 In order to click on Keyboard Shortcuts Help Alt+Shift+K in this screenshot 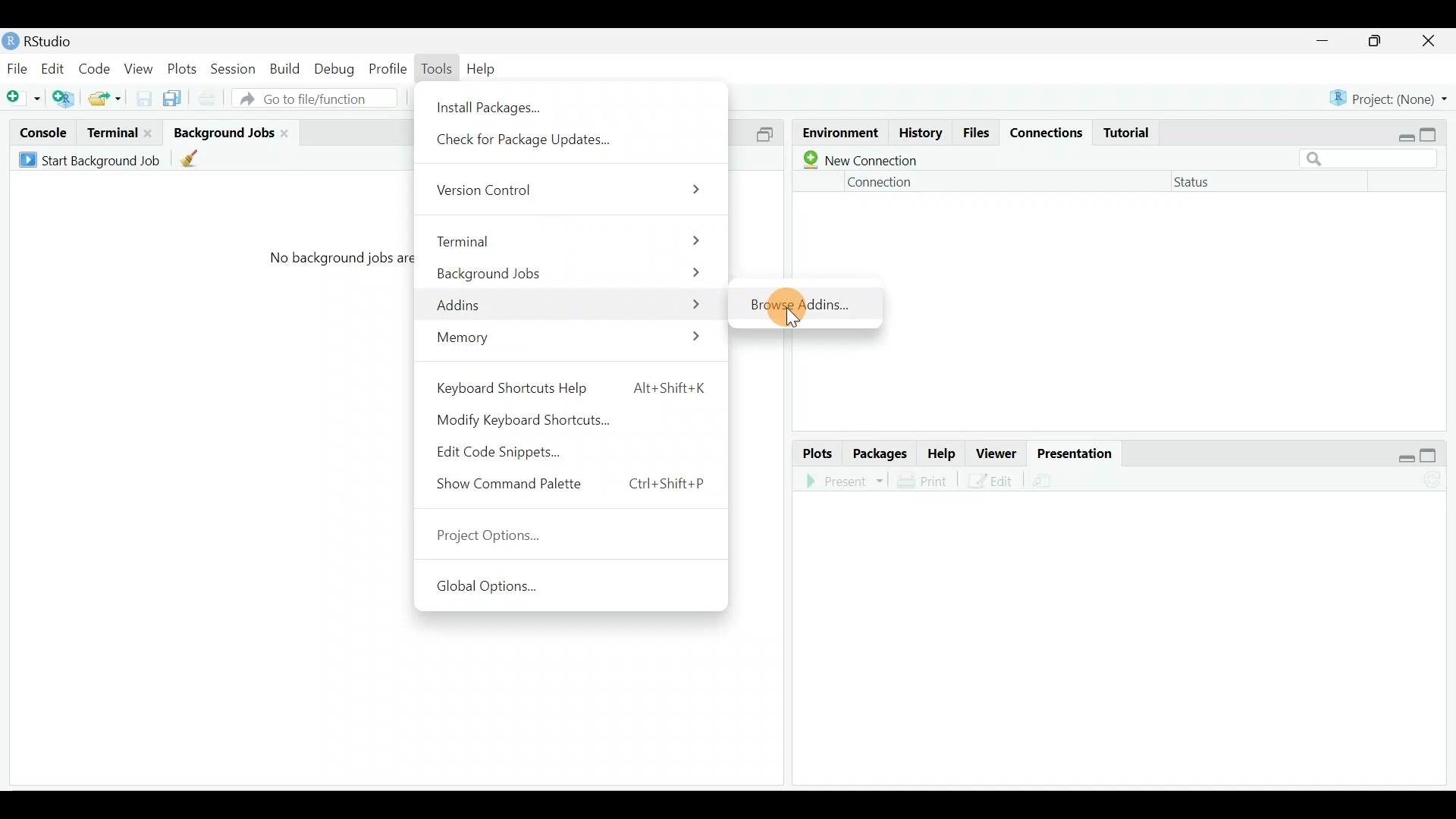, I will do `click(570, 387)`.